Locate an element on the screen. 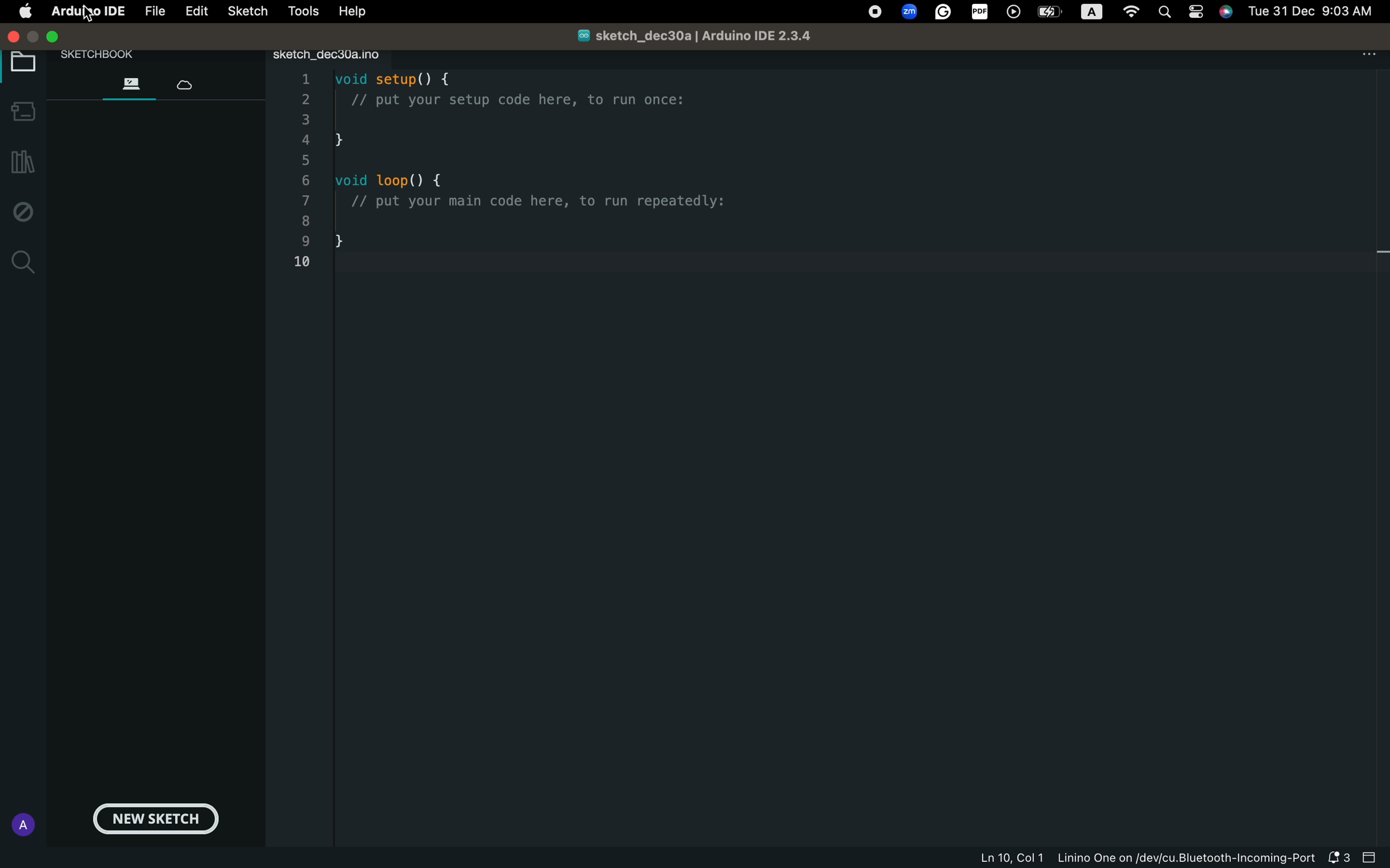 The height and width of the screenshot is (868, 1390). board is located at coordinates (20, 64).